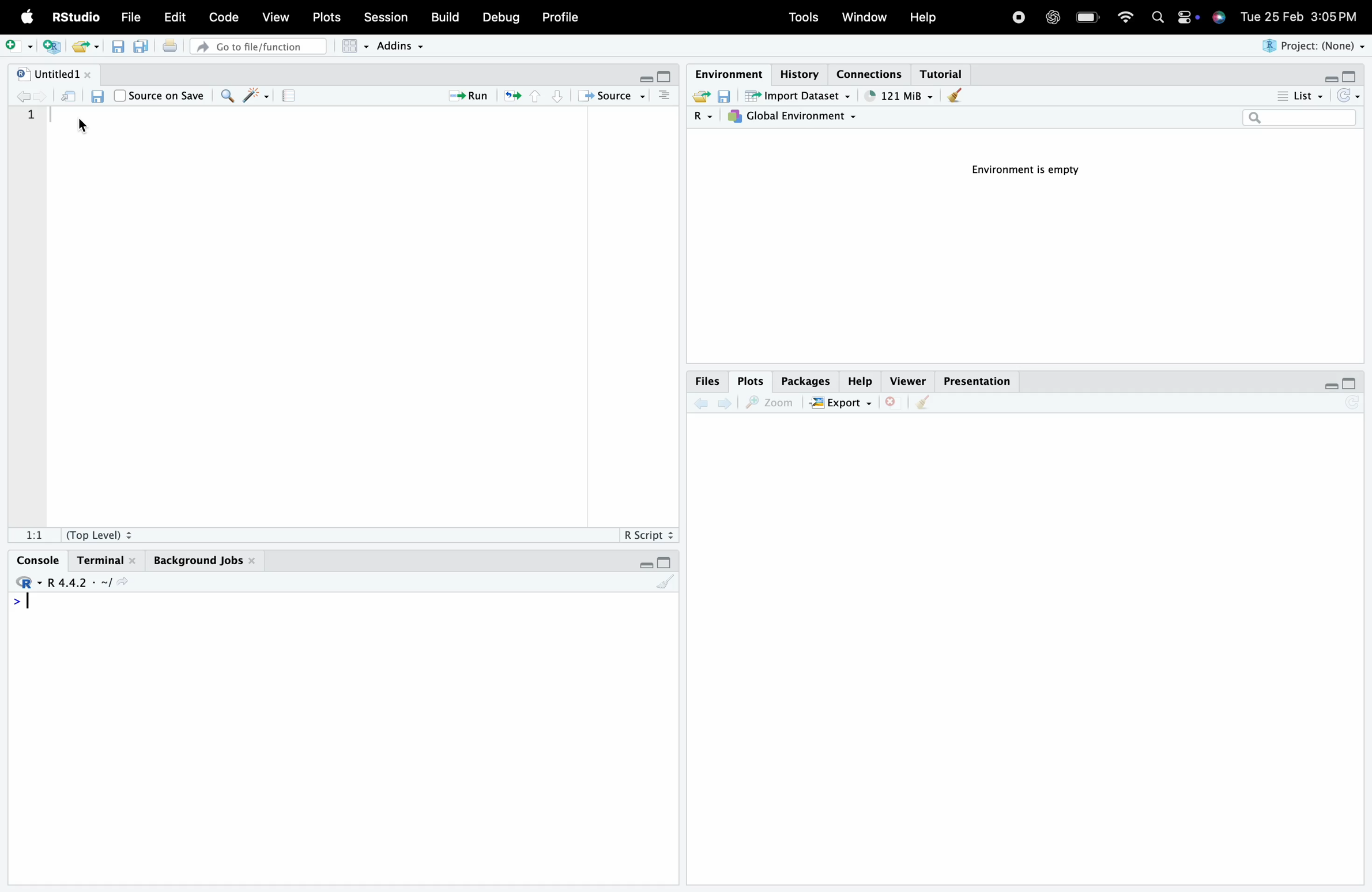 This screenshot has width=1372, height=892. I want to click on Help, so click(924, 17).